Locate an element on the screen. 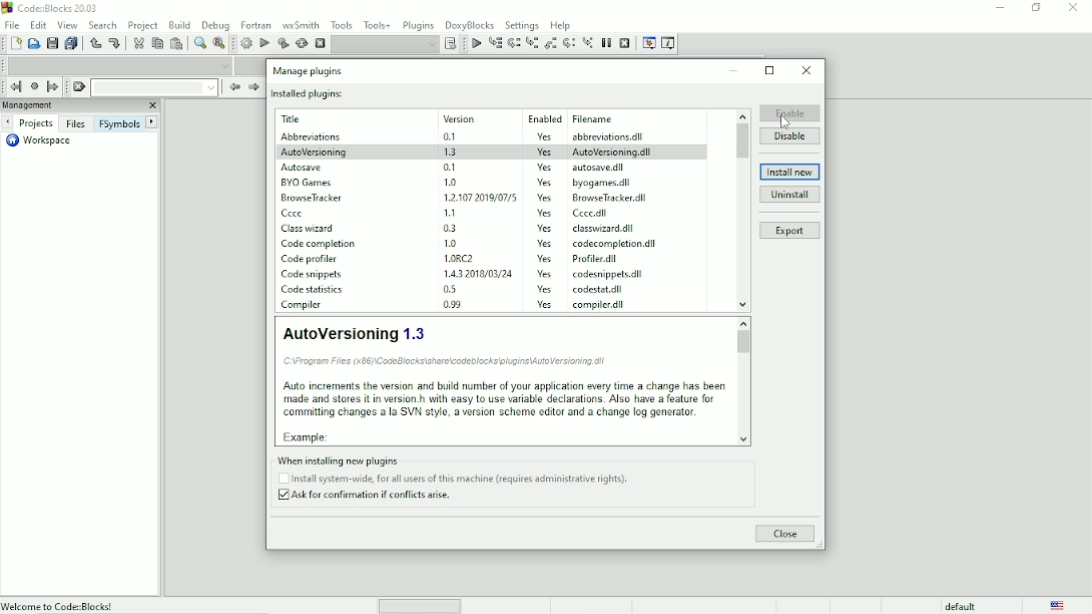 The height and width of the screenshot is (614, 1092). When installing new plugins is located at coordinates (457, 479).